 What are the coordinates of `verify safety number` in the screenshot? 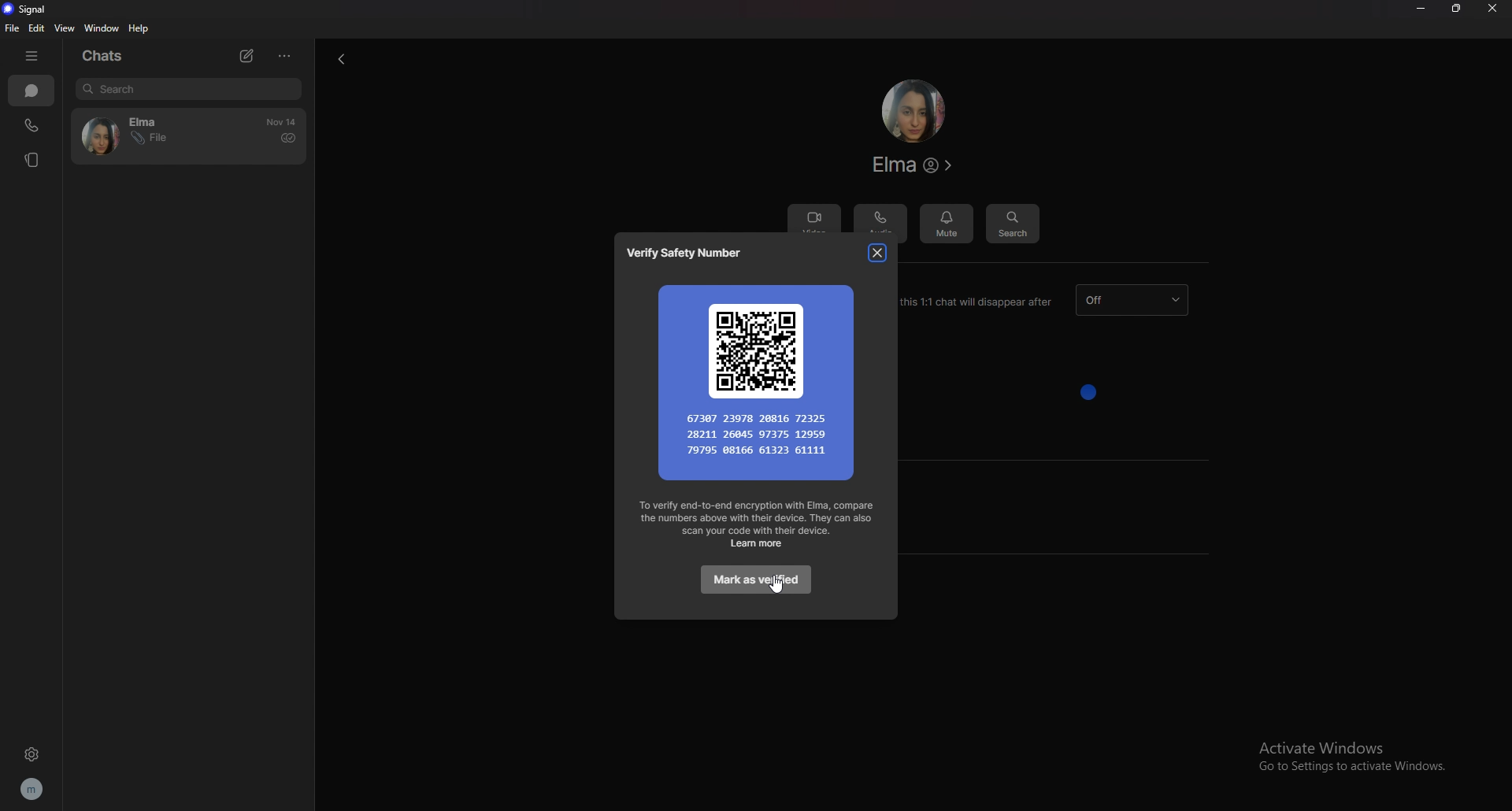 It's located at (690, 254).